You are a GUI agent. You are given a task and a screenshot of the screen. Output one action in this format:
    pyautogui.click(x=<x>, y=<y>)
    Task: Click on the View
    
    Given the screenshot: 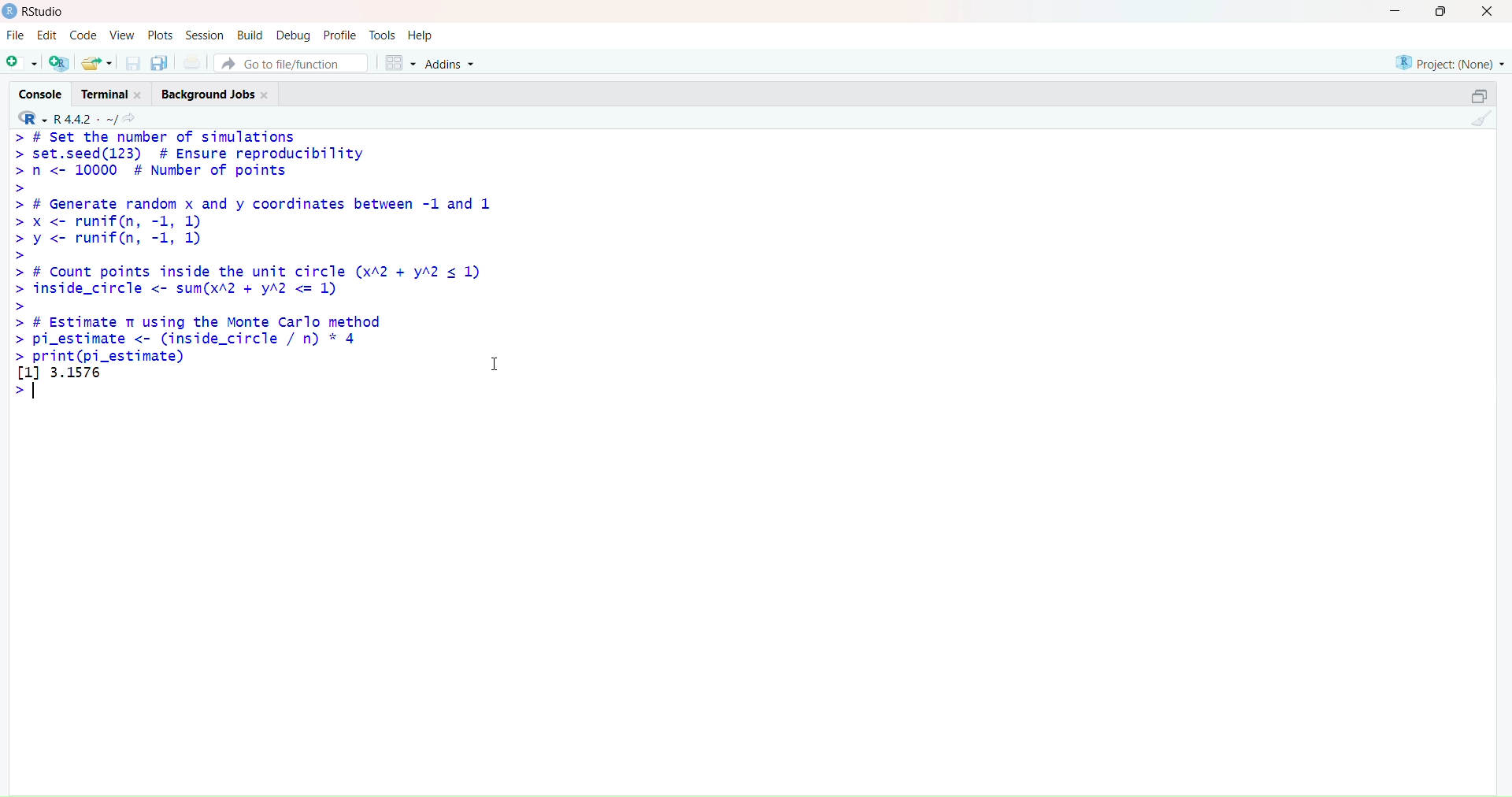 What is the action you would take?
    pyautogui.click(x=121, y=33)
    